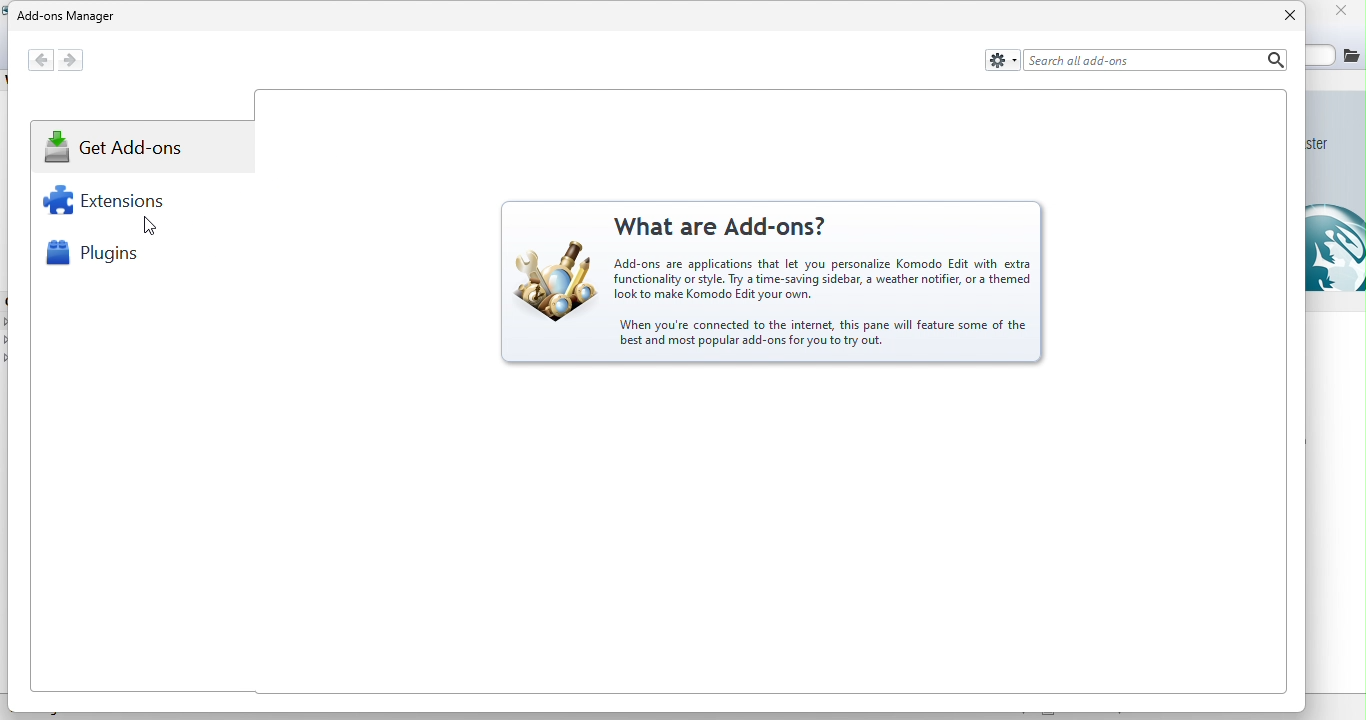 The image size is (1366, 720). I want to click on plugins, so click(100, 258).